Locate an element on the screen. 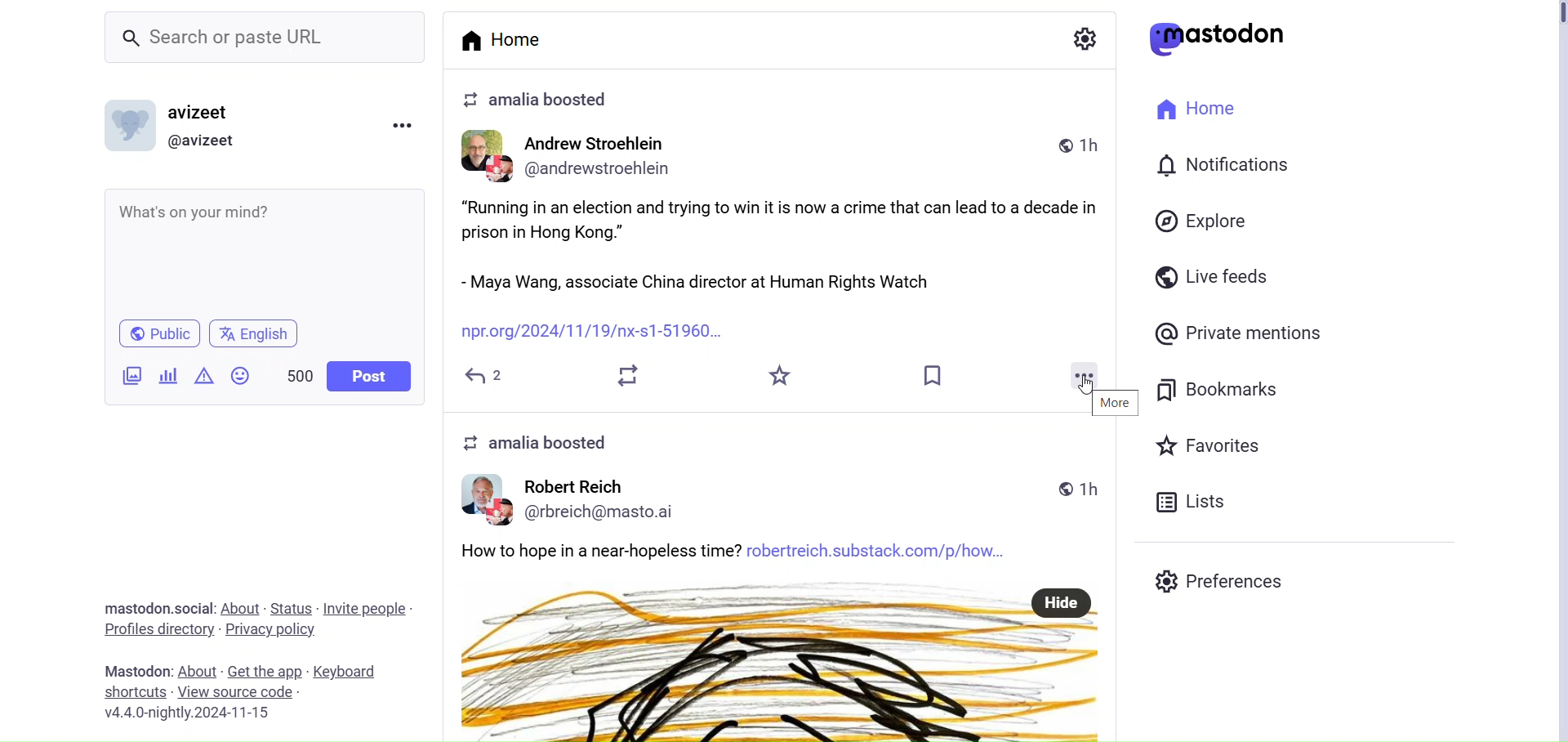 This screenshot has width=1568, height=742. User Name is located at coordinates (198, 110).